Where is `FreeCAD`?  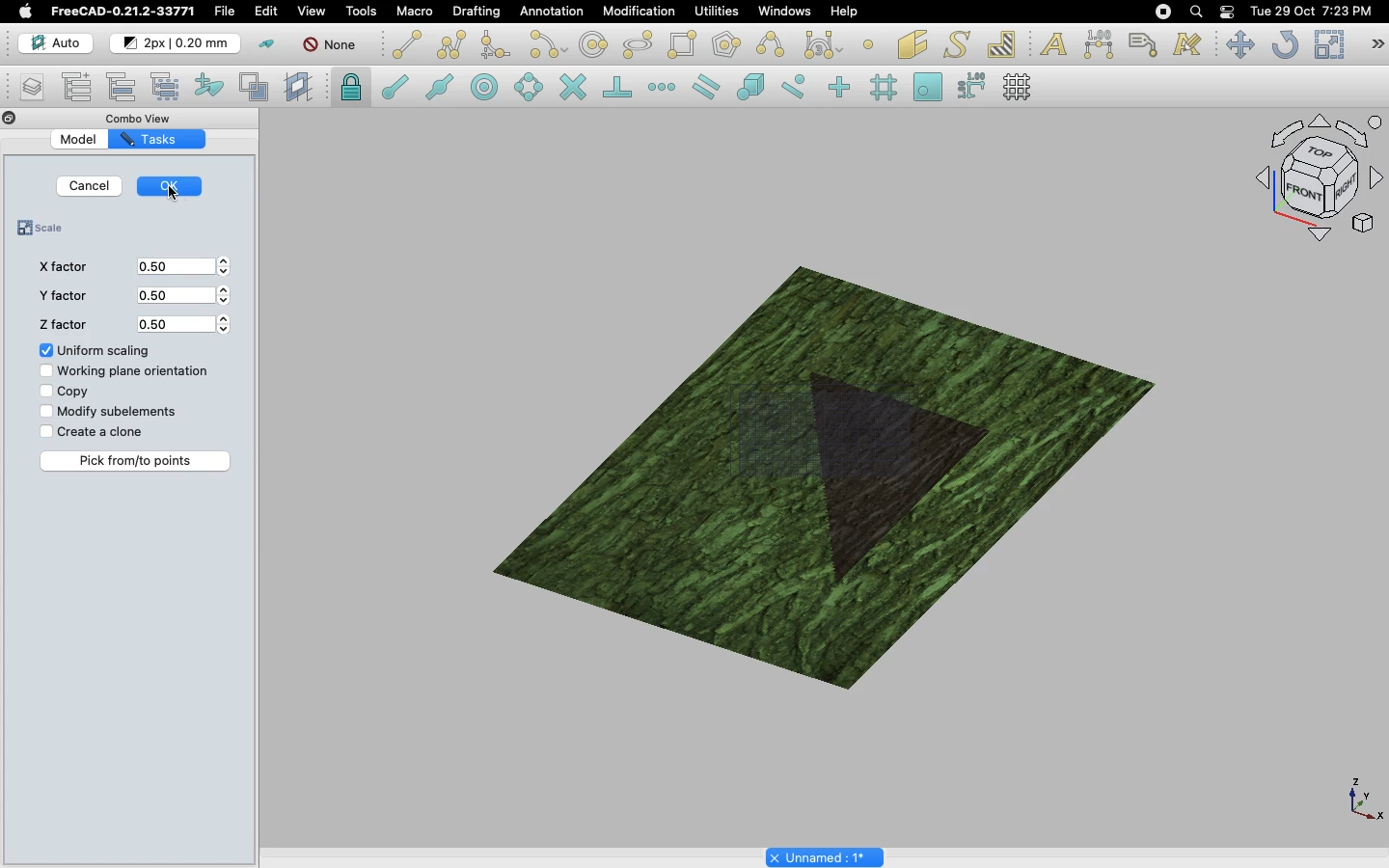 FreeCAD is located at coordinates (122, 12).